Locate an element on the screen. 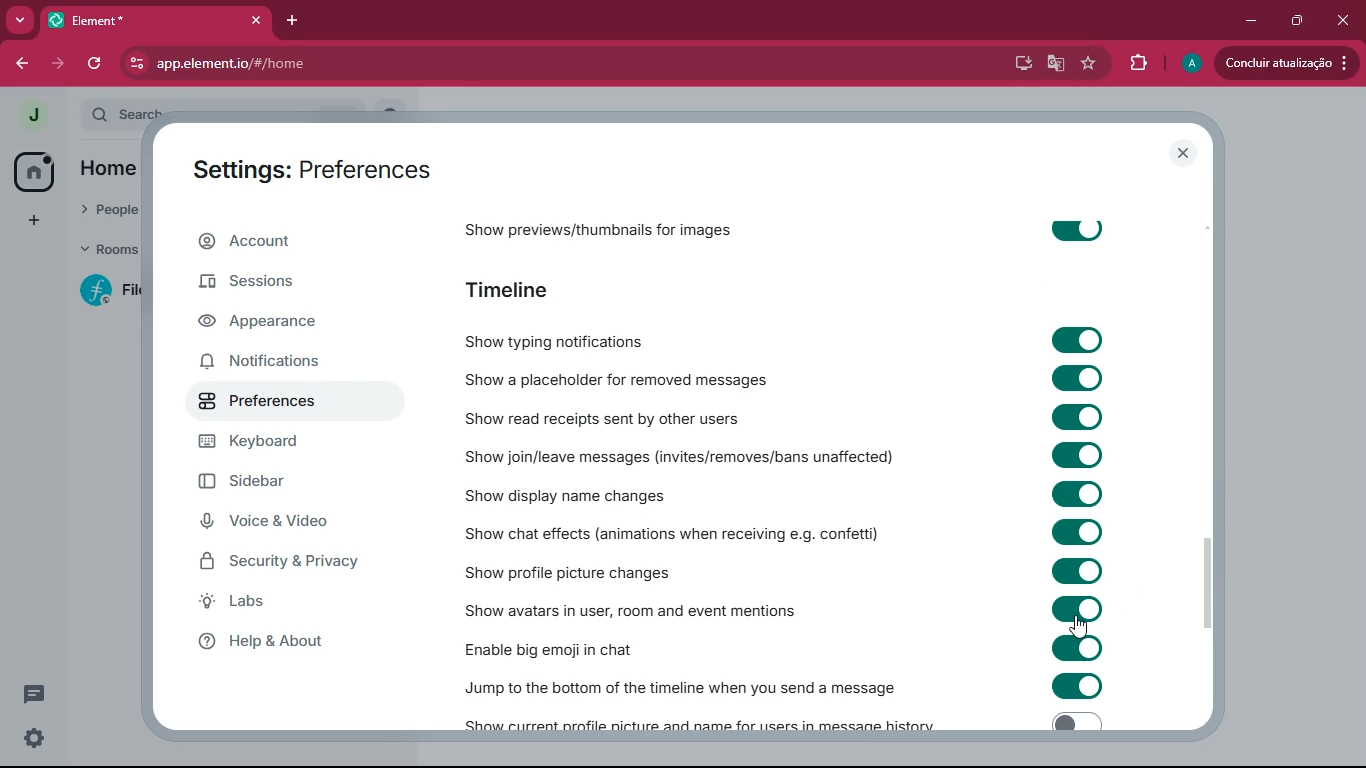 The width and height of the screenshot is (1366, 768). rooms is located at coordinates (108, 250).